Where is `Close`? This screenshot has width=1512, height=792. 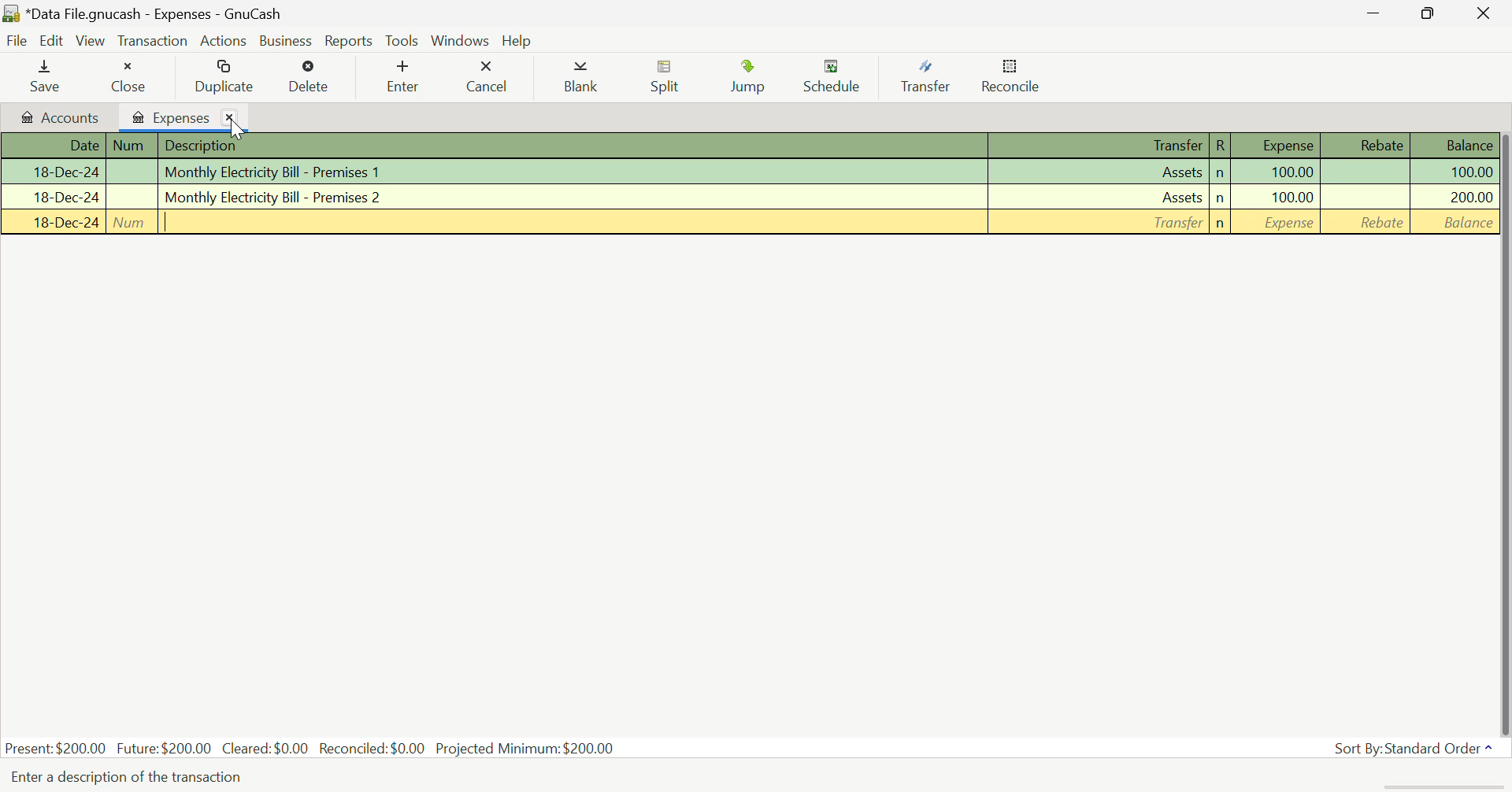
Close is located at coordinates (128, 77).